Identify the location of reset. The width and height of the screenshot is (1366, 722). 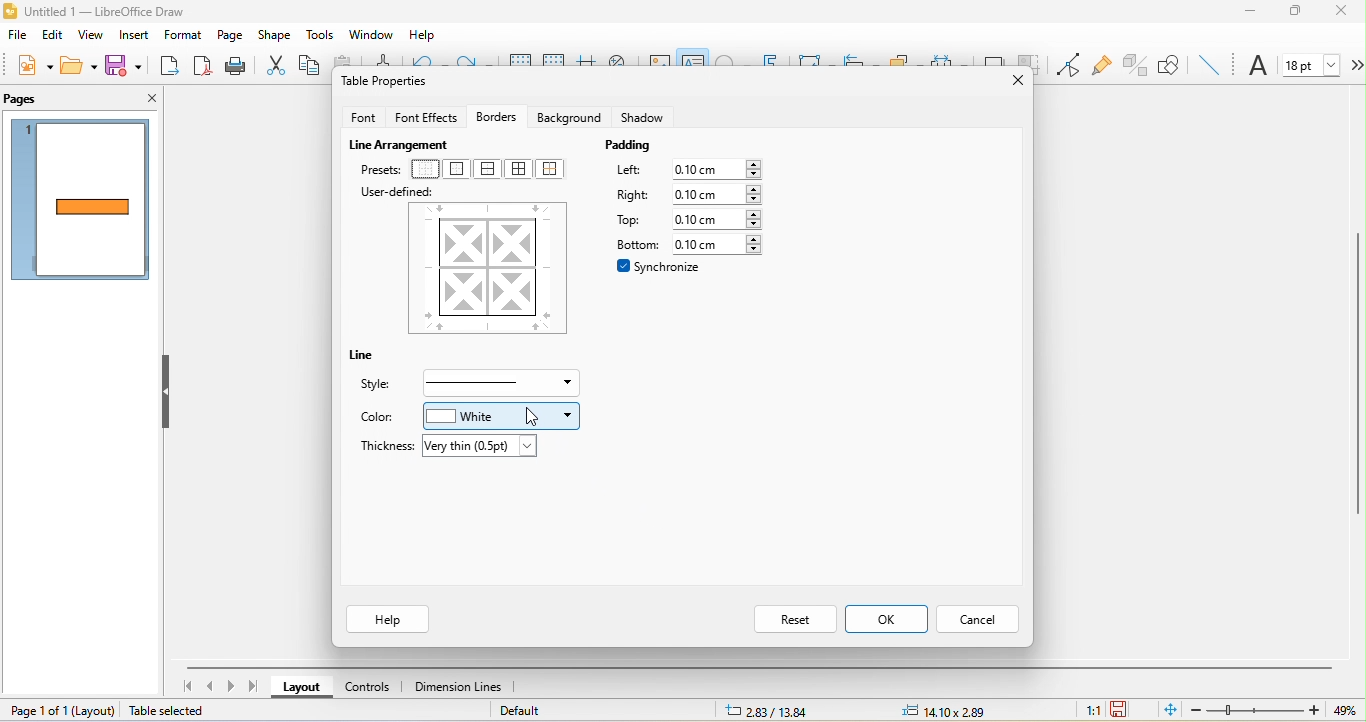
(794, 621).